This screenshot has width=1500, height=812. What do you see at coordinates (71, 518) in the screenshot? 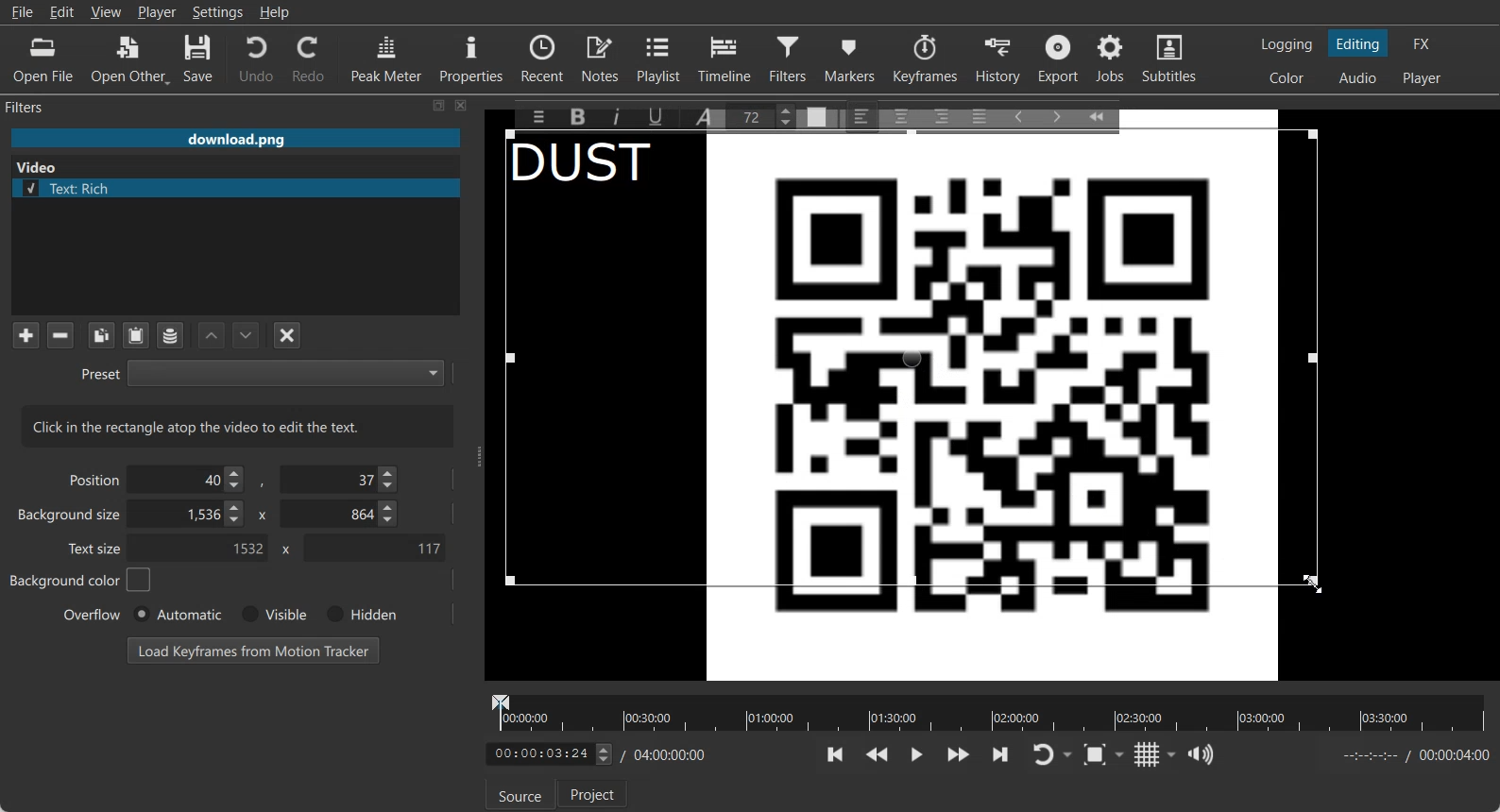
I see `Background size` at bounding box center [71, 518].